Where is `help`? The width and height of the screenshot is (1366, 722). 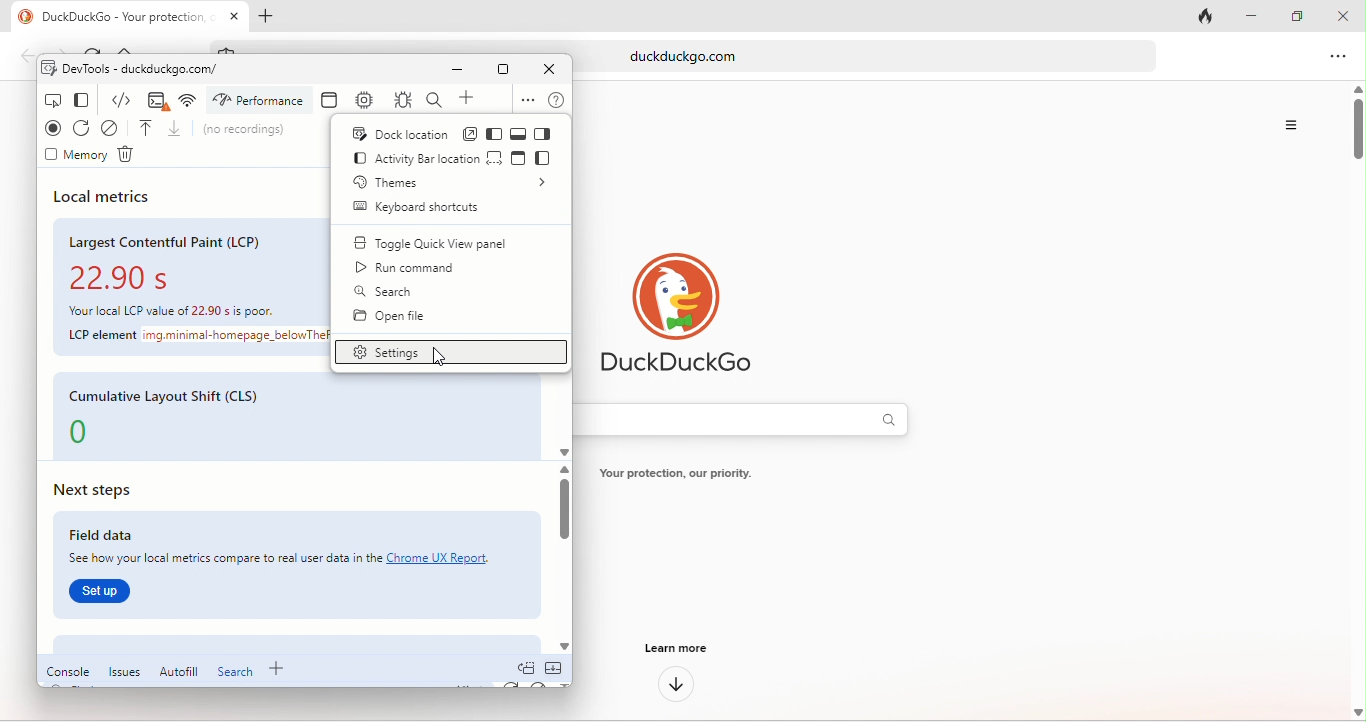
help is located at coordinates (561, 101).